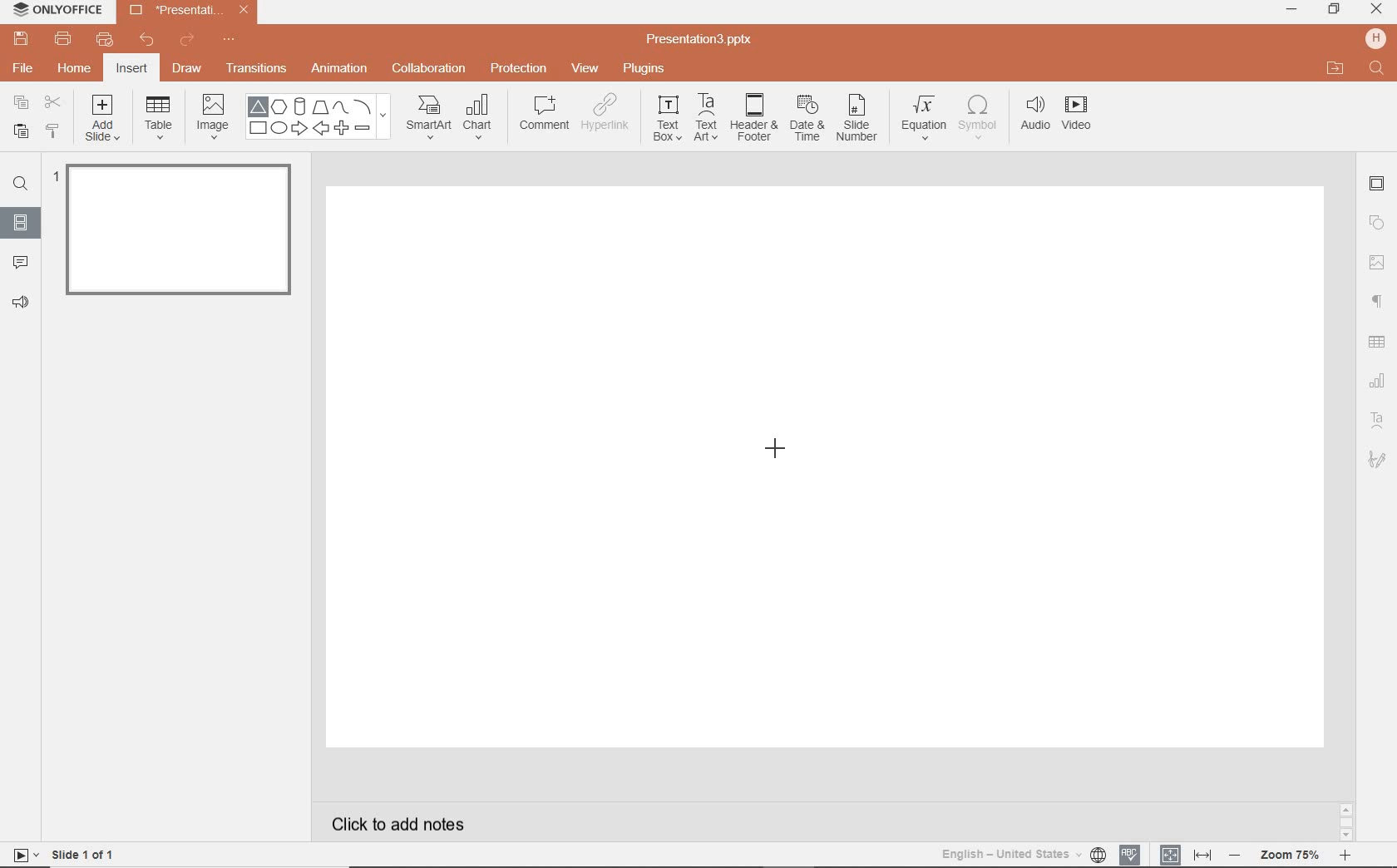 The height and width of the screenshot is (868, 1397). Describe the element at coordinates (1378, 422) in the screenshot. I see `TEXT ART SETTINGS` at that location.